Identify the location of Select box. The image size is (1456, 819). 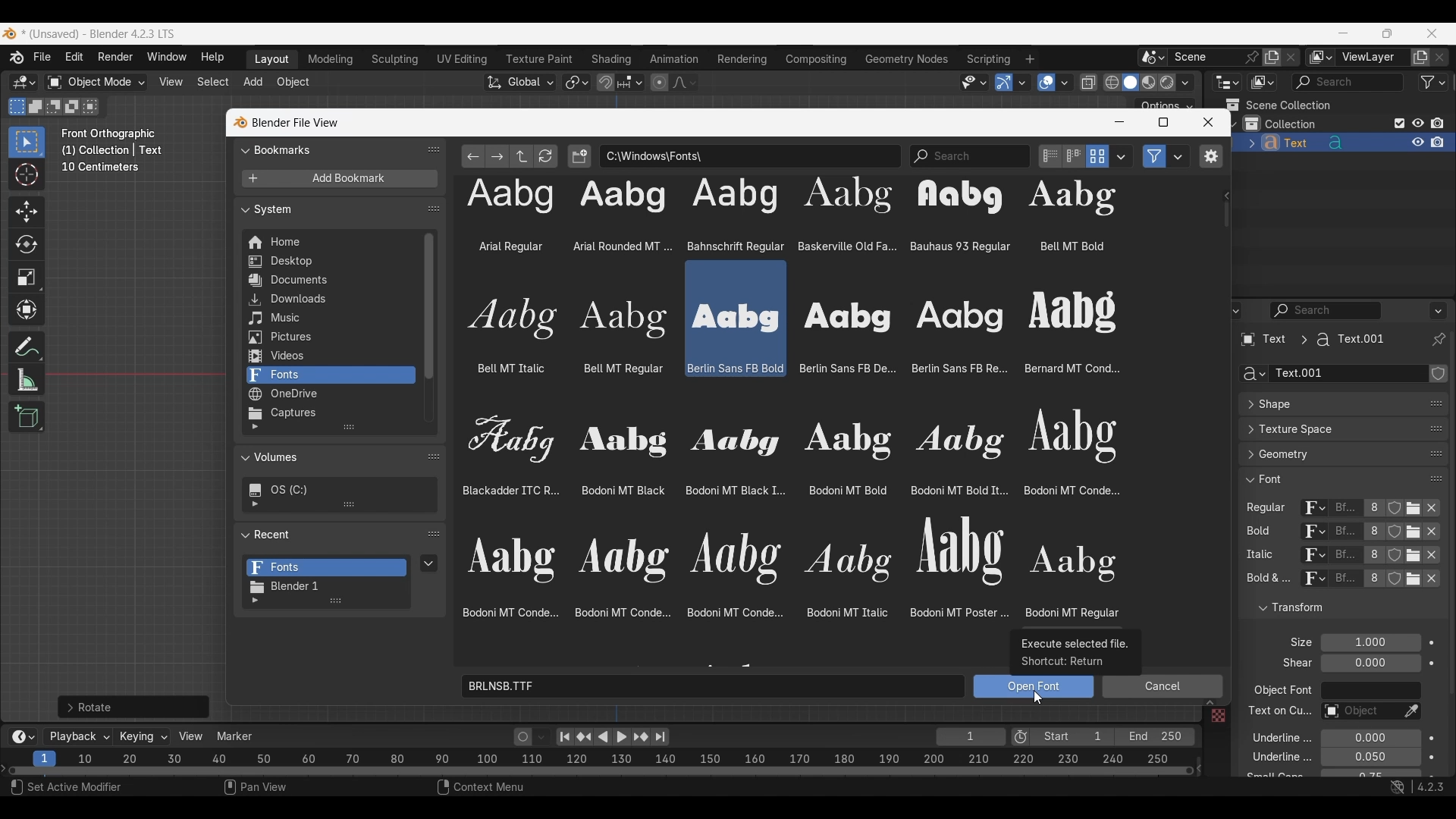
(27, 142).